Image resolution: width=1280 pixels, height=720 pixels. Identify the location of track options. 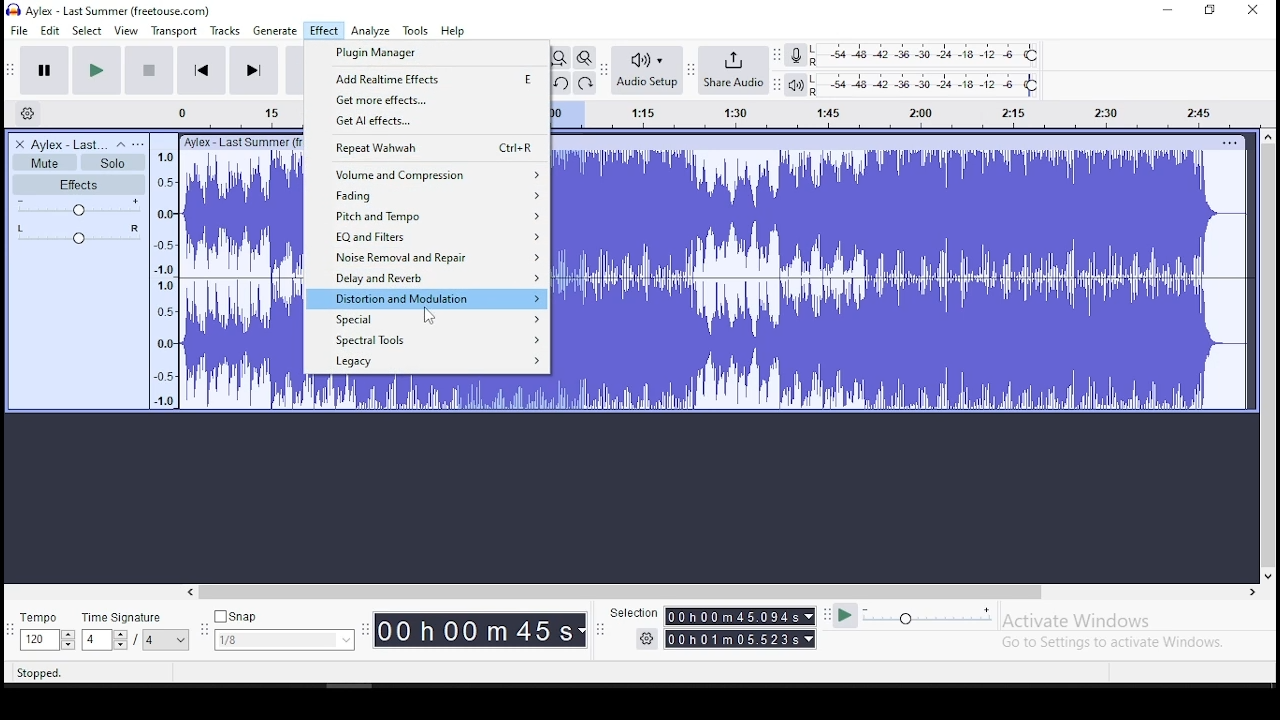
(1229, 143).